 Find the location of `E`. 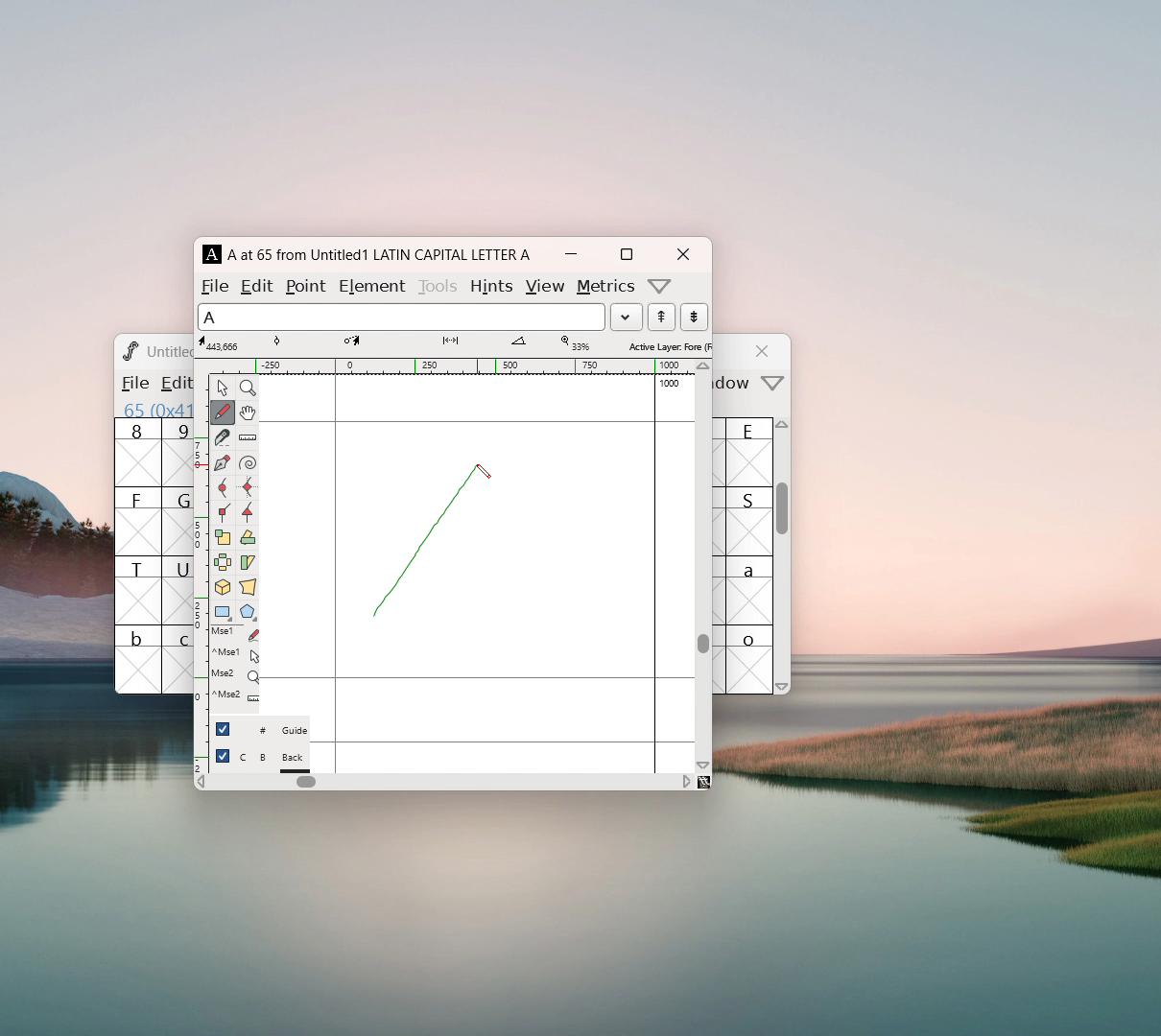

E is located at coordinates (750, 452).